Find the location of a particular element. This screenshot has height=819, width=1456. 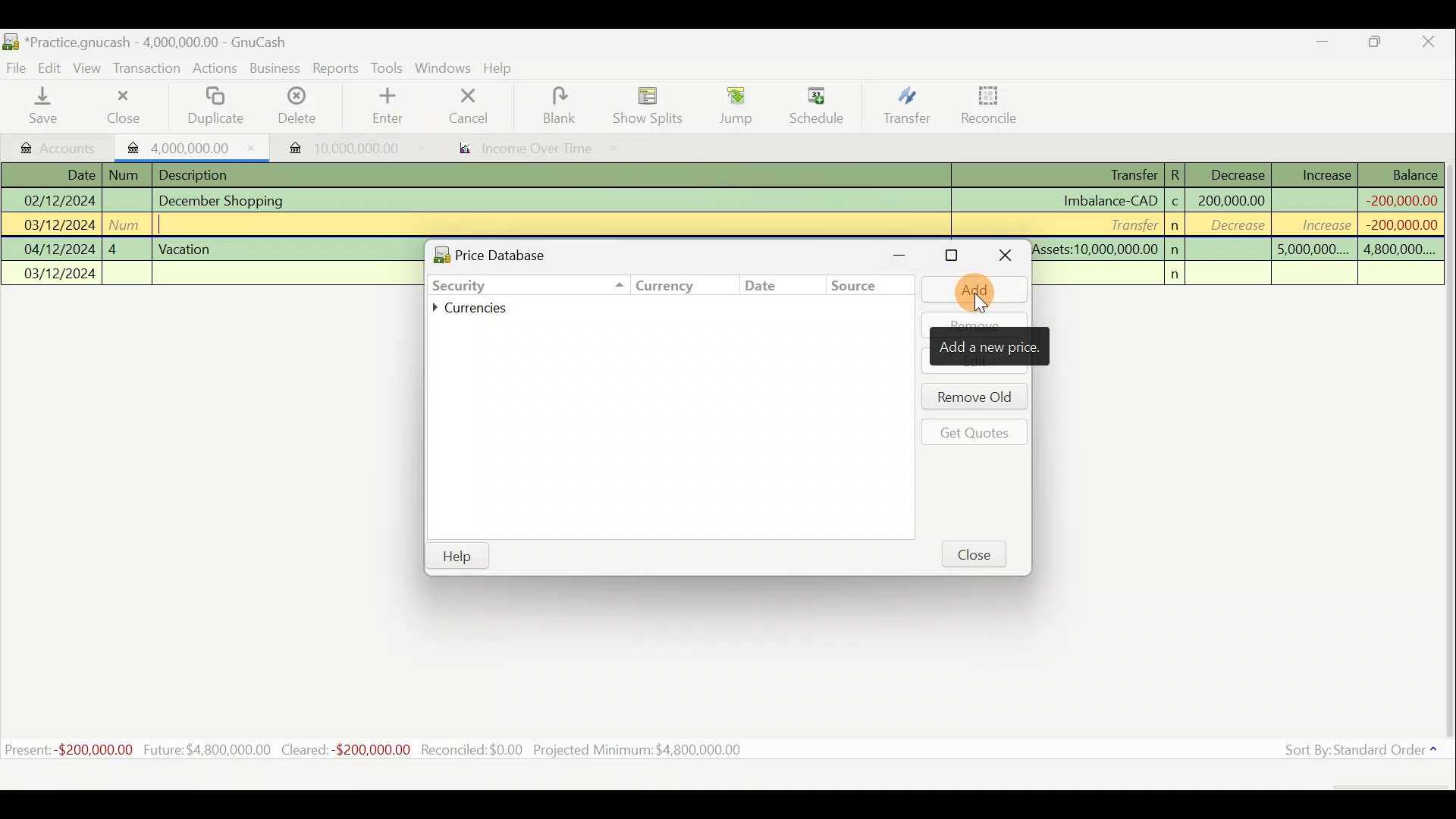

Tools is located at coordinates (388, 67).